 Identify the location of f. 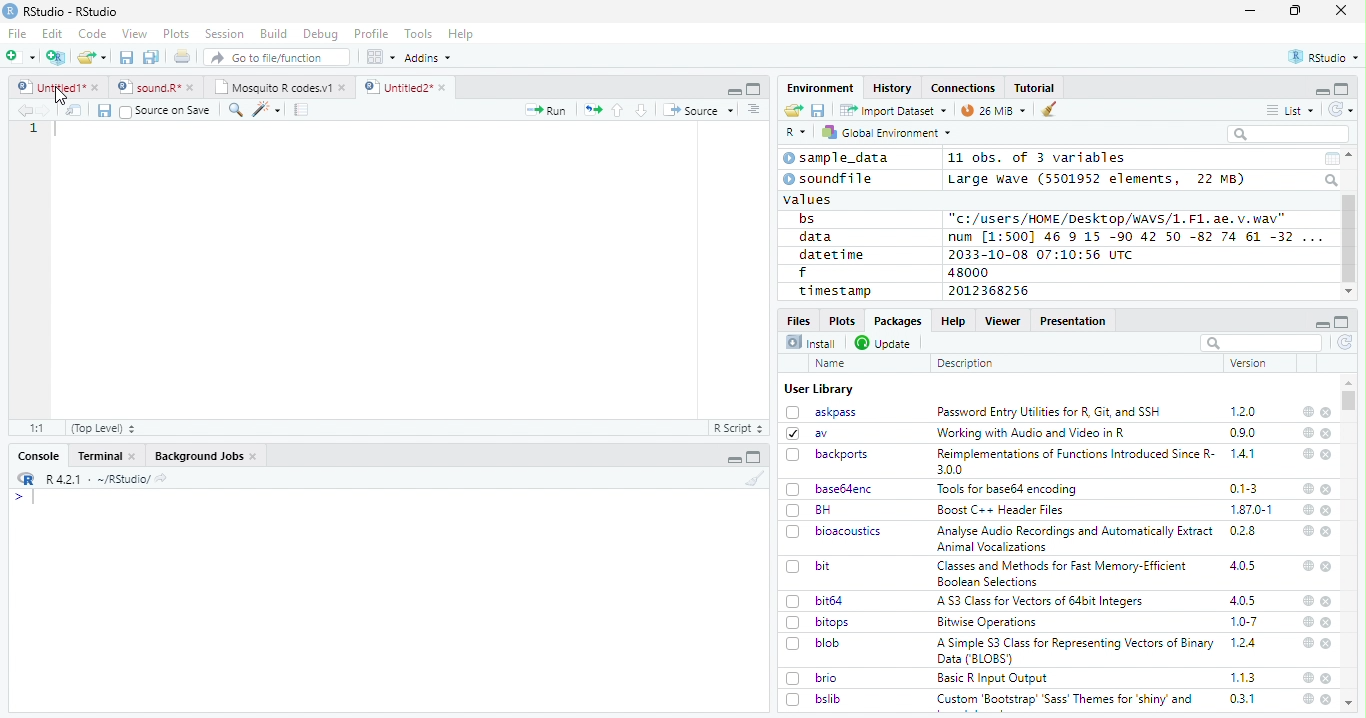
(803, 273).